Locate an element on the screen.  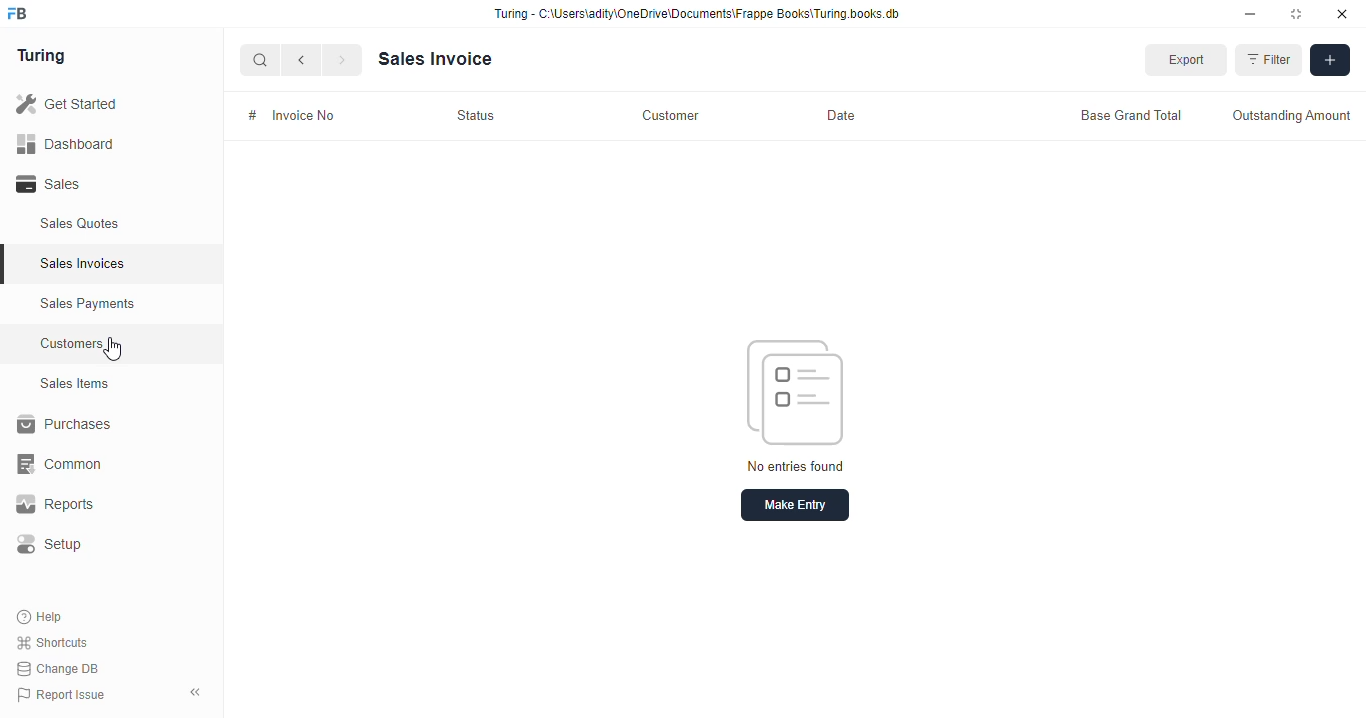
Sales Items. is located at coordinates (111, 384).